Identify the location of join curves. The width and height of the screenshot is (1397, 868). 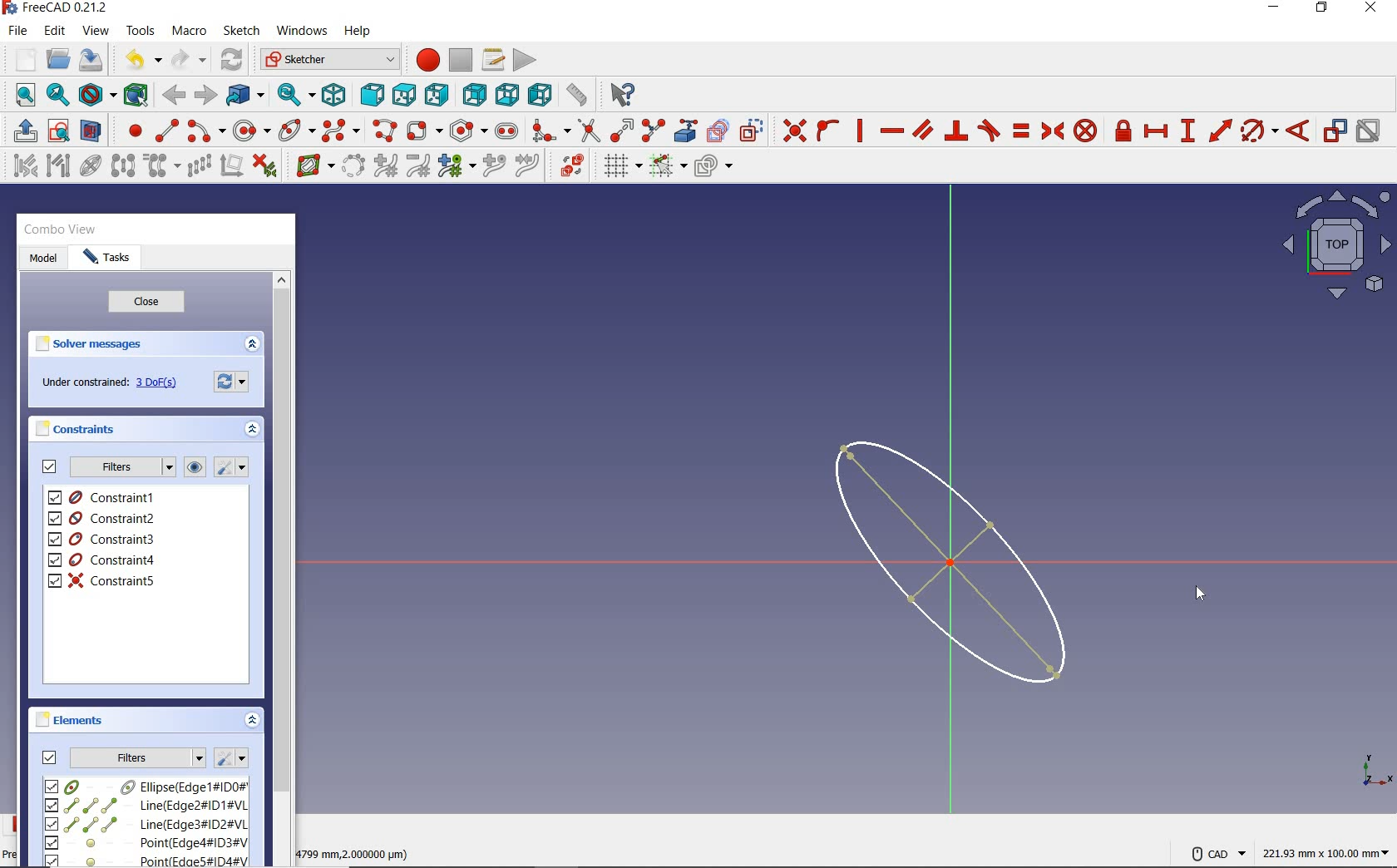
(528, 166).